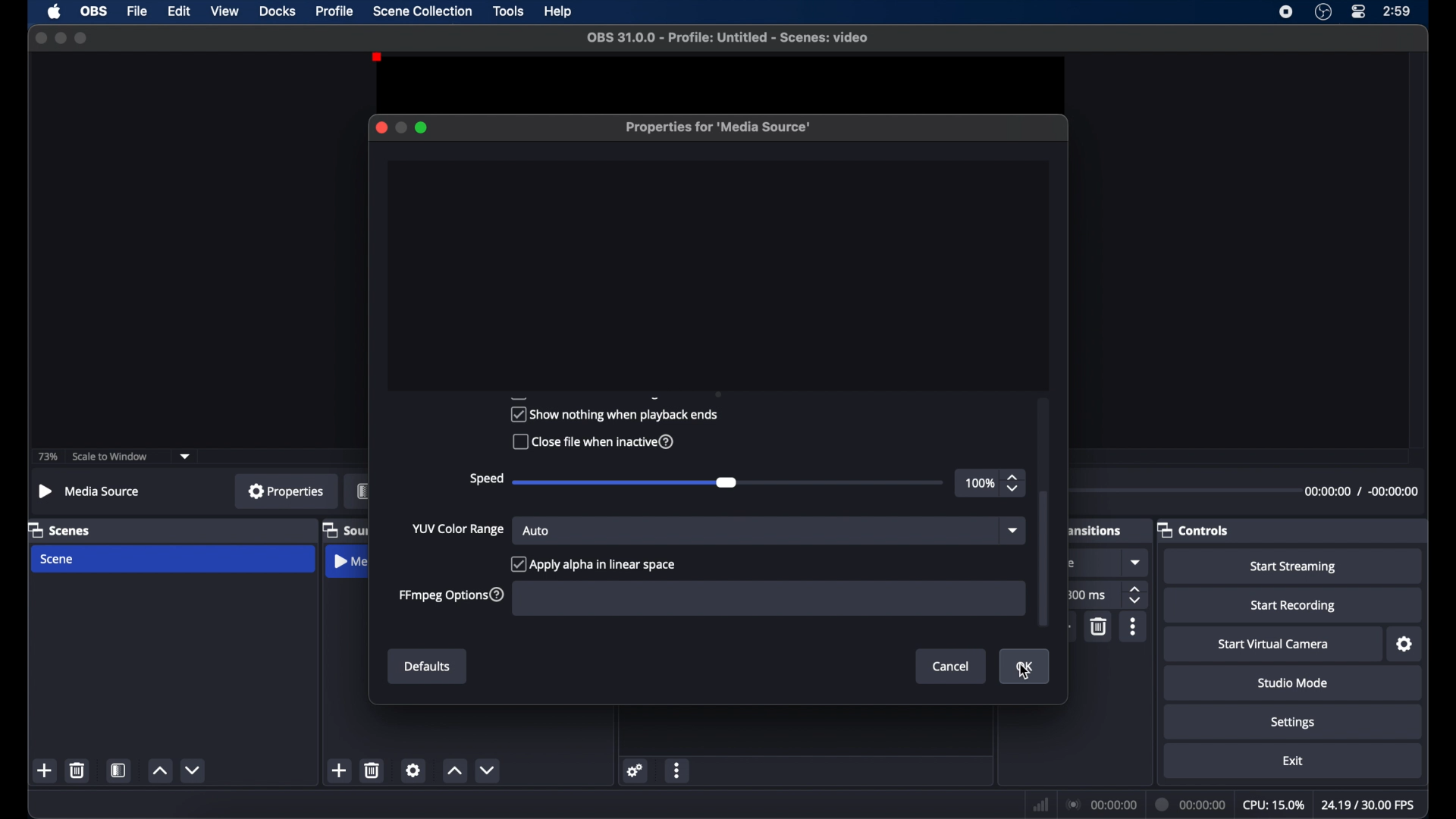 The width and height of the screenshot is (1456, 819). What do you see at coordinates (112, 456) in the screenshot?
I see `scale to window` at bounding box center [112, 456].